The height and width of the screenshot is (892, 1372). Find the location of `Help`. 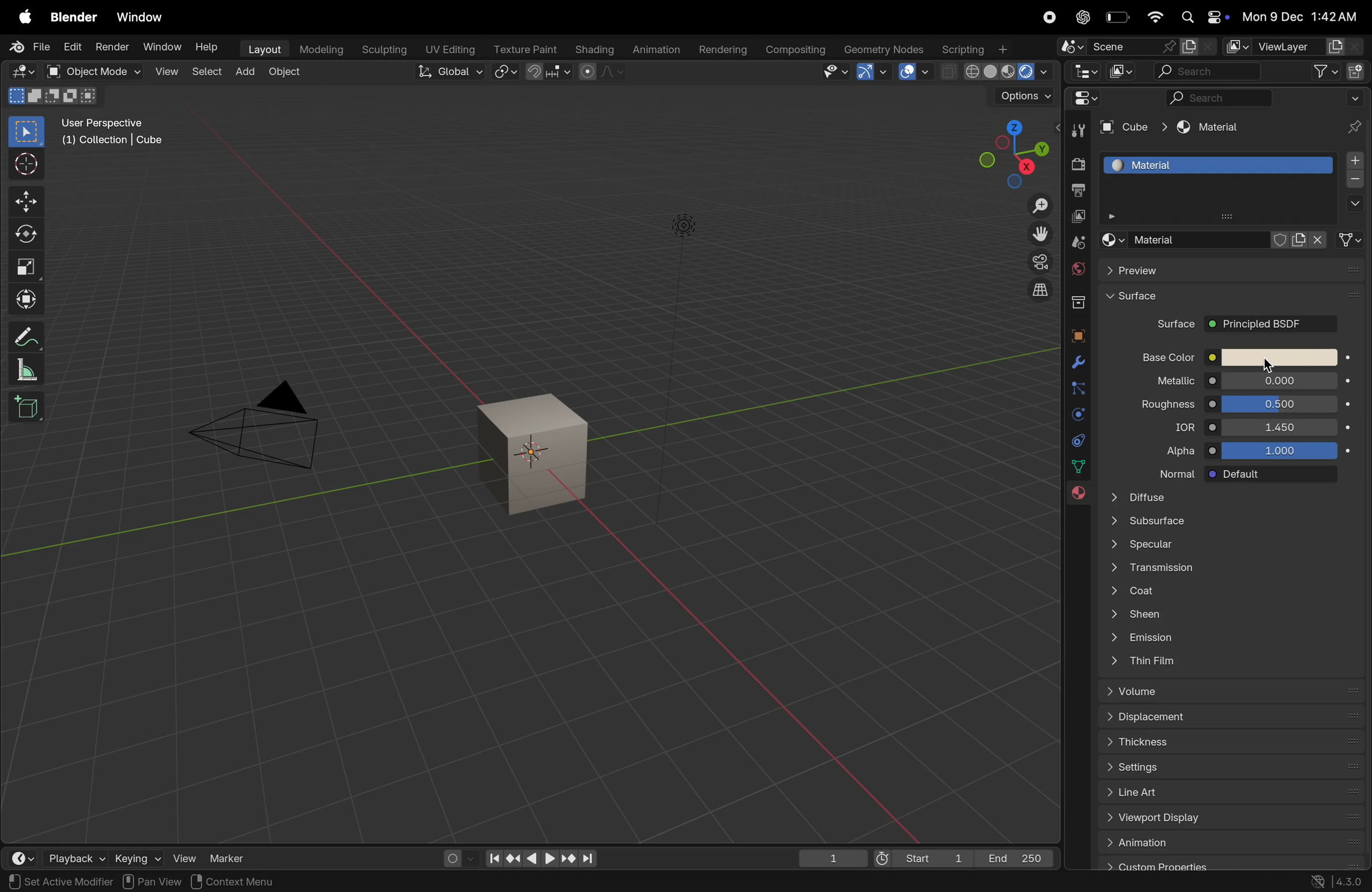

Help is located at coordinates (208, 46).